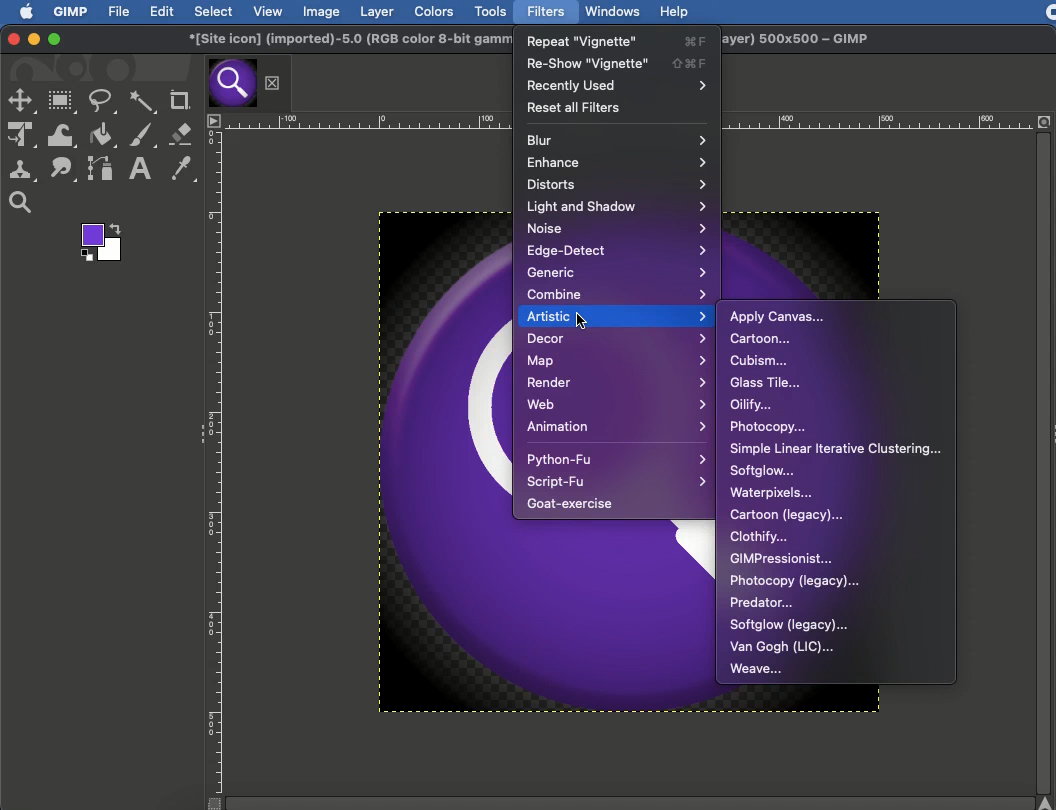 The height and width of the screenshot is (810, 1056). Describe the element at coordinates (616, 340) in the screenshot. I see `Decor` at that location.